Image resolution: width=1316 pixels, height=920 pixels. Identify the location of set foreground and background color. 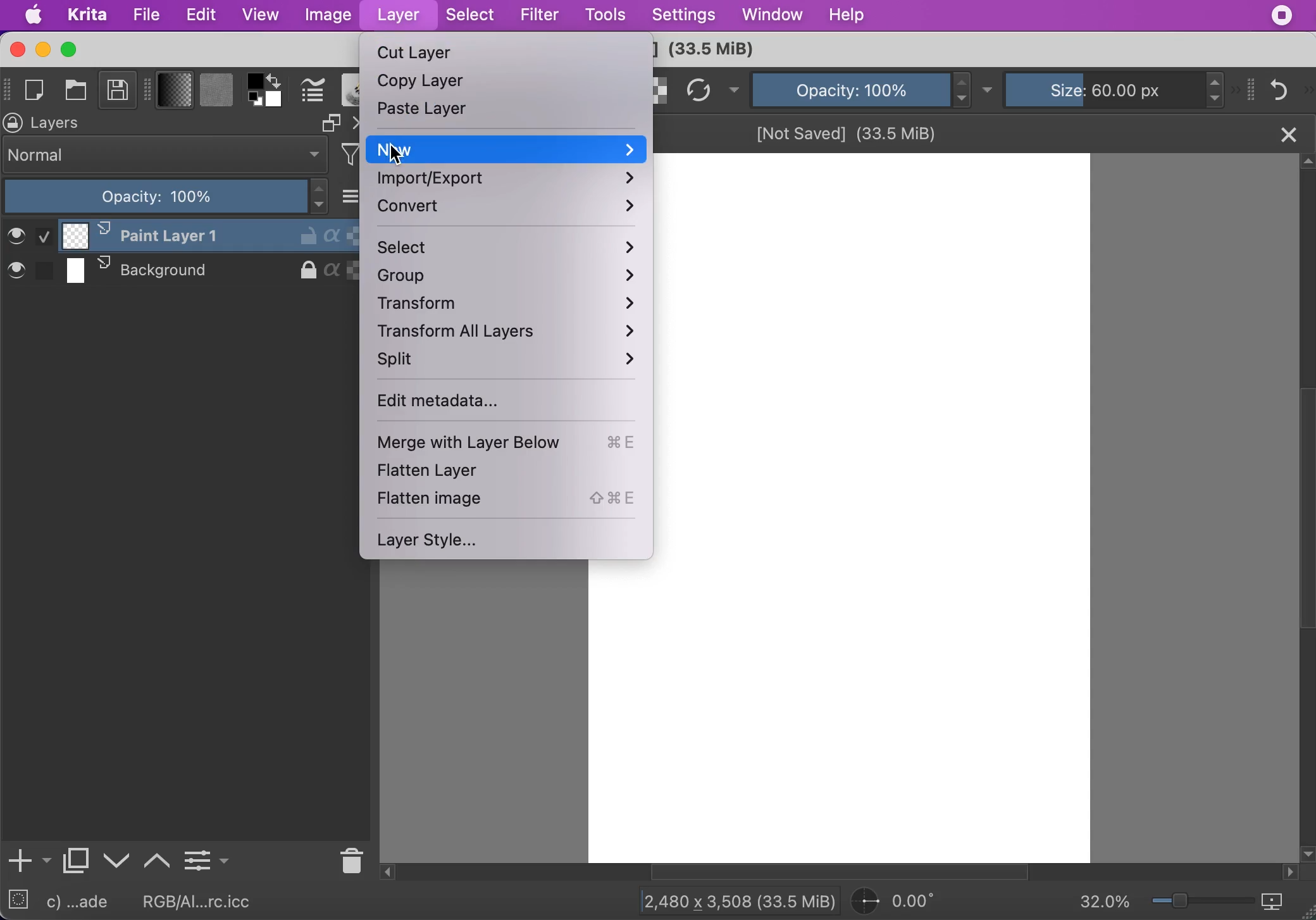
(256, 101).